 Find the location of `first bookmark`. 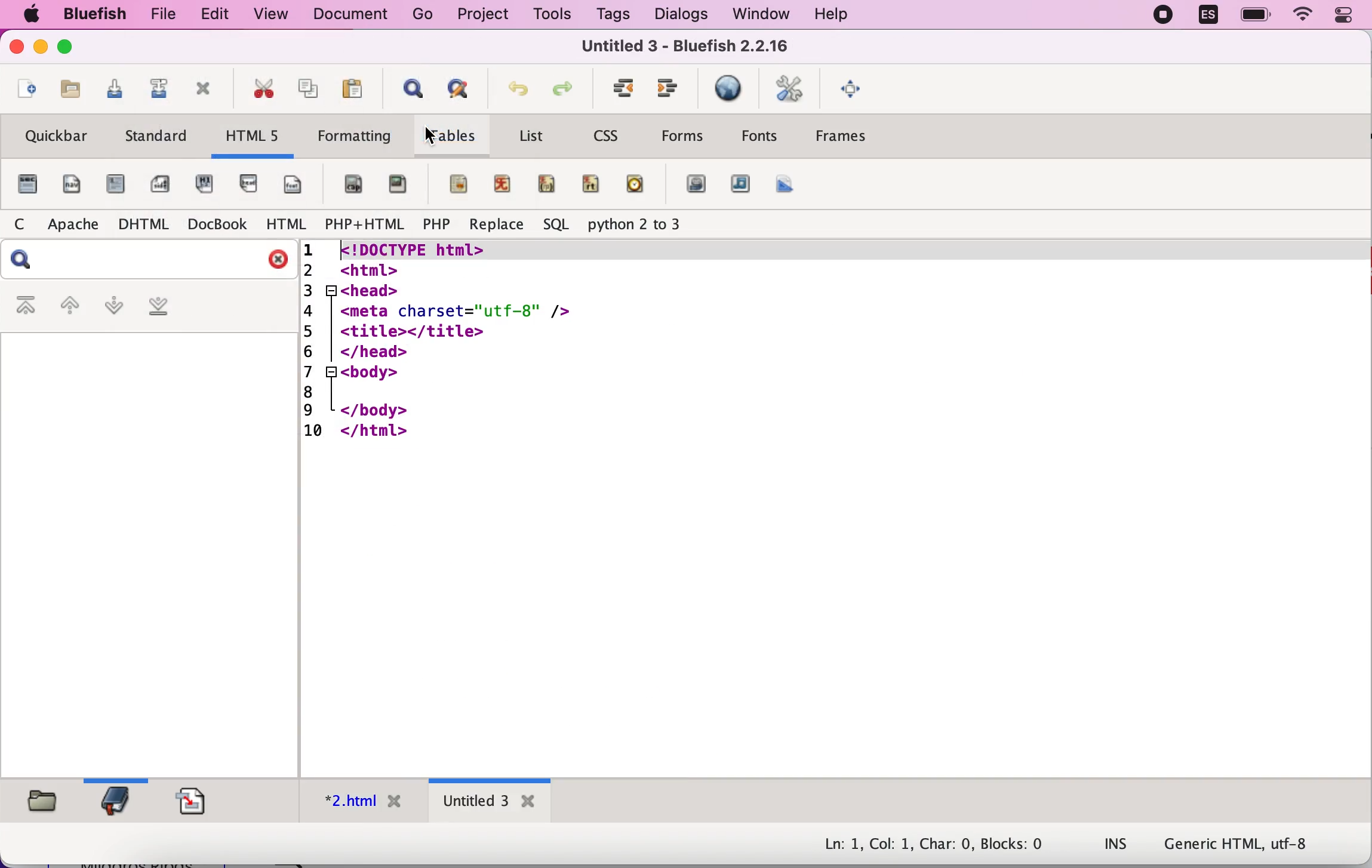

first bookmark is located at coordinates (23, 303).